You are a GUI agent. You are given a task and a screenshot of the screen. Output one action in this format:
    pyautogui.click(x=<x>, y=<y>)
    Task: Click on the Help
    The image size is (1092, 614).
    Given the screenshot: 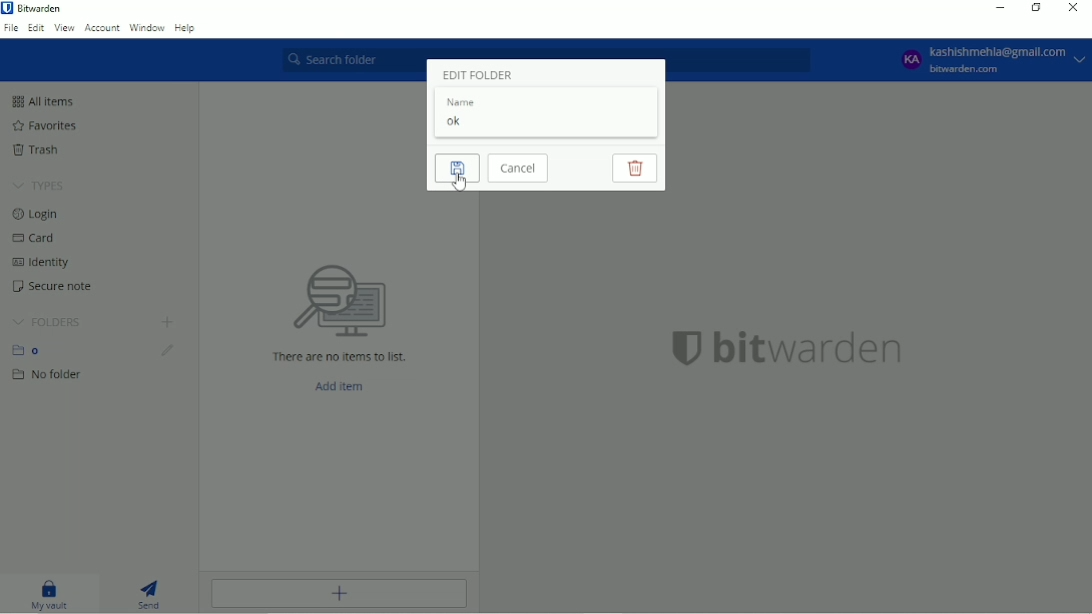 What is the action you would take?
    pyautogui.click(x=187, y=28)
    